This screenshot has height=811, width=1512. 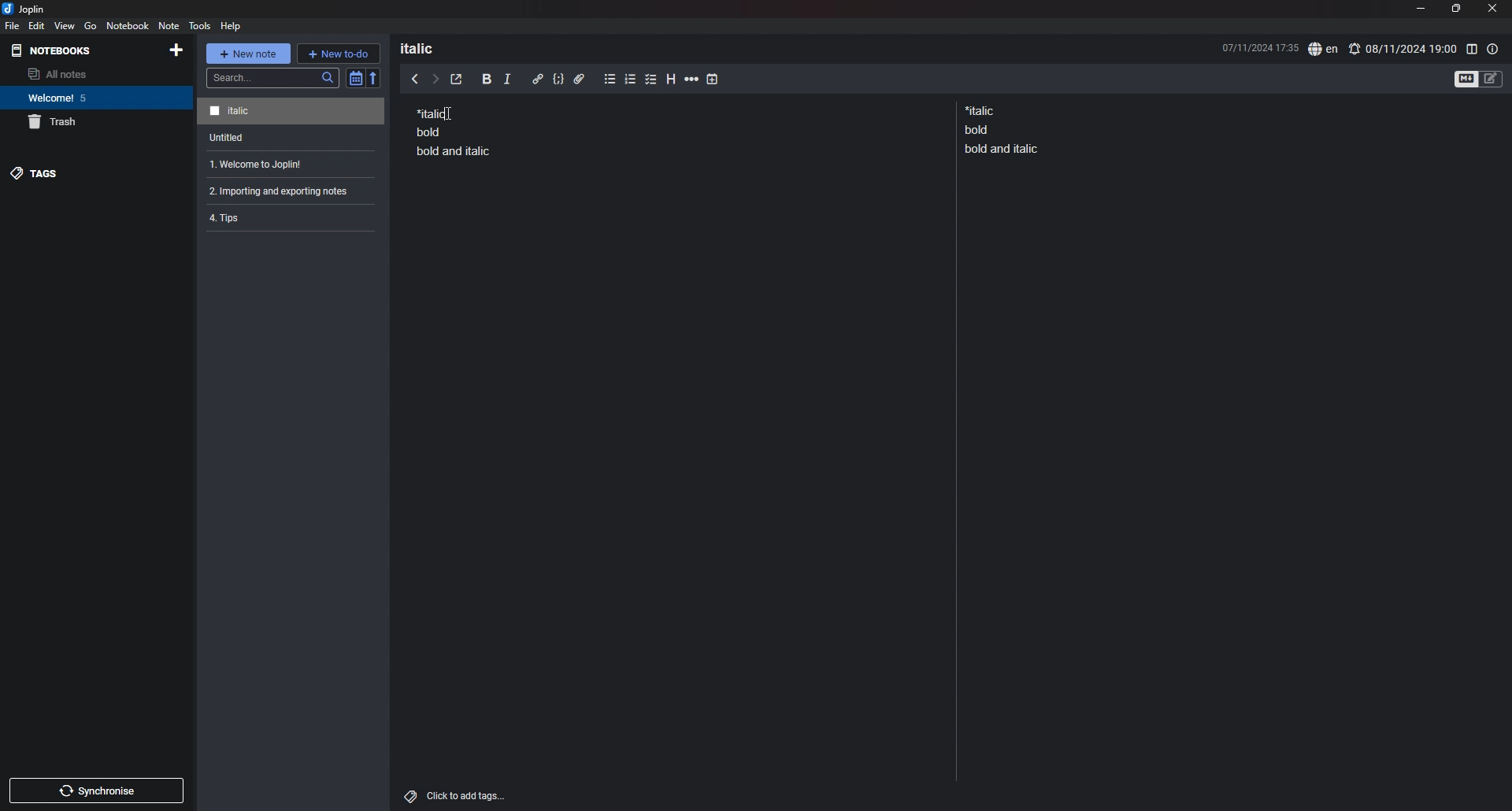 What do you see at coordinates (90, 26) in the screenshot?
I see `go` at bounding box center [90, 26].